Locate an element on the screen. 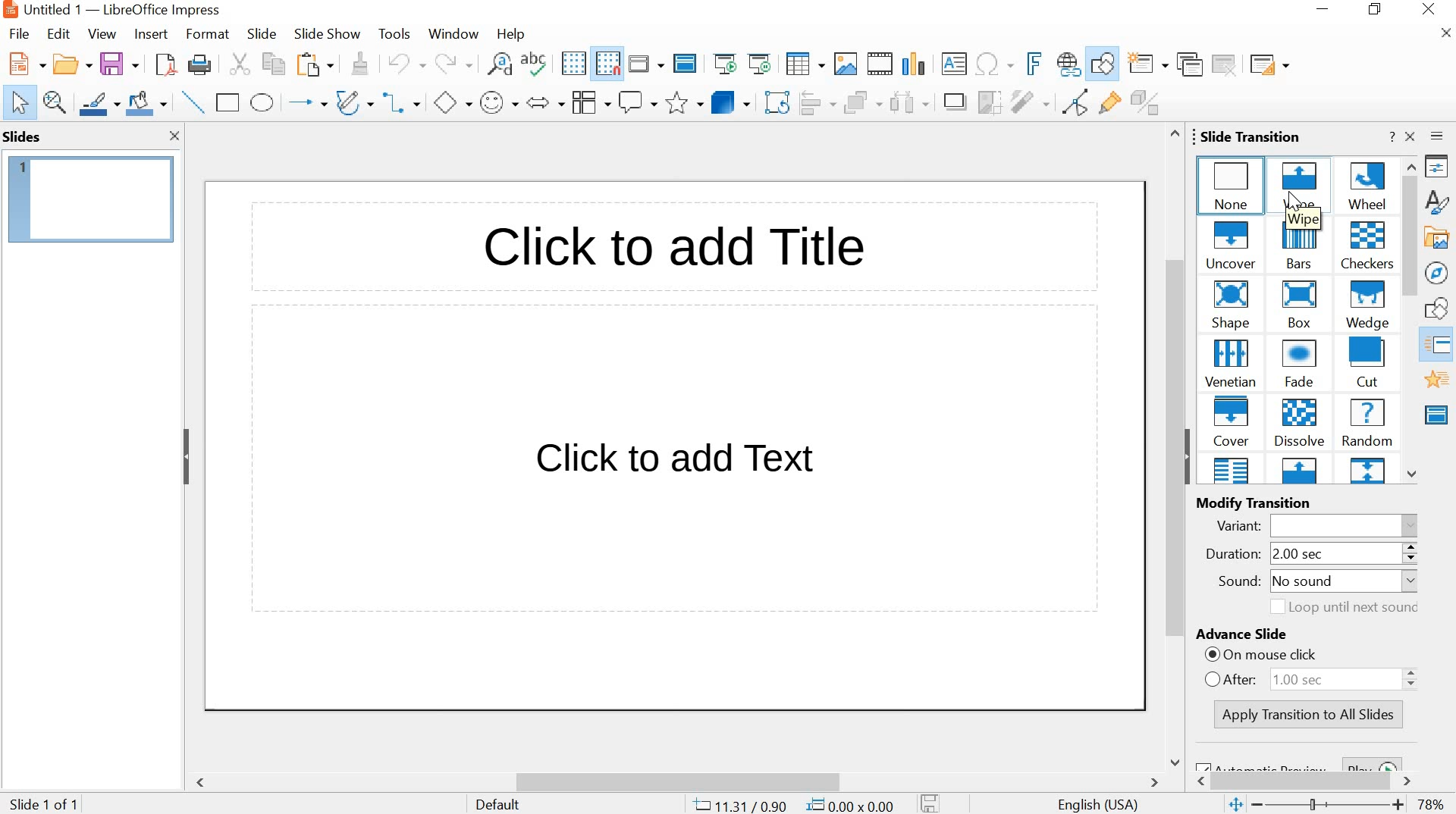  SCROLLBAR is located at coordinates (686, 776).